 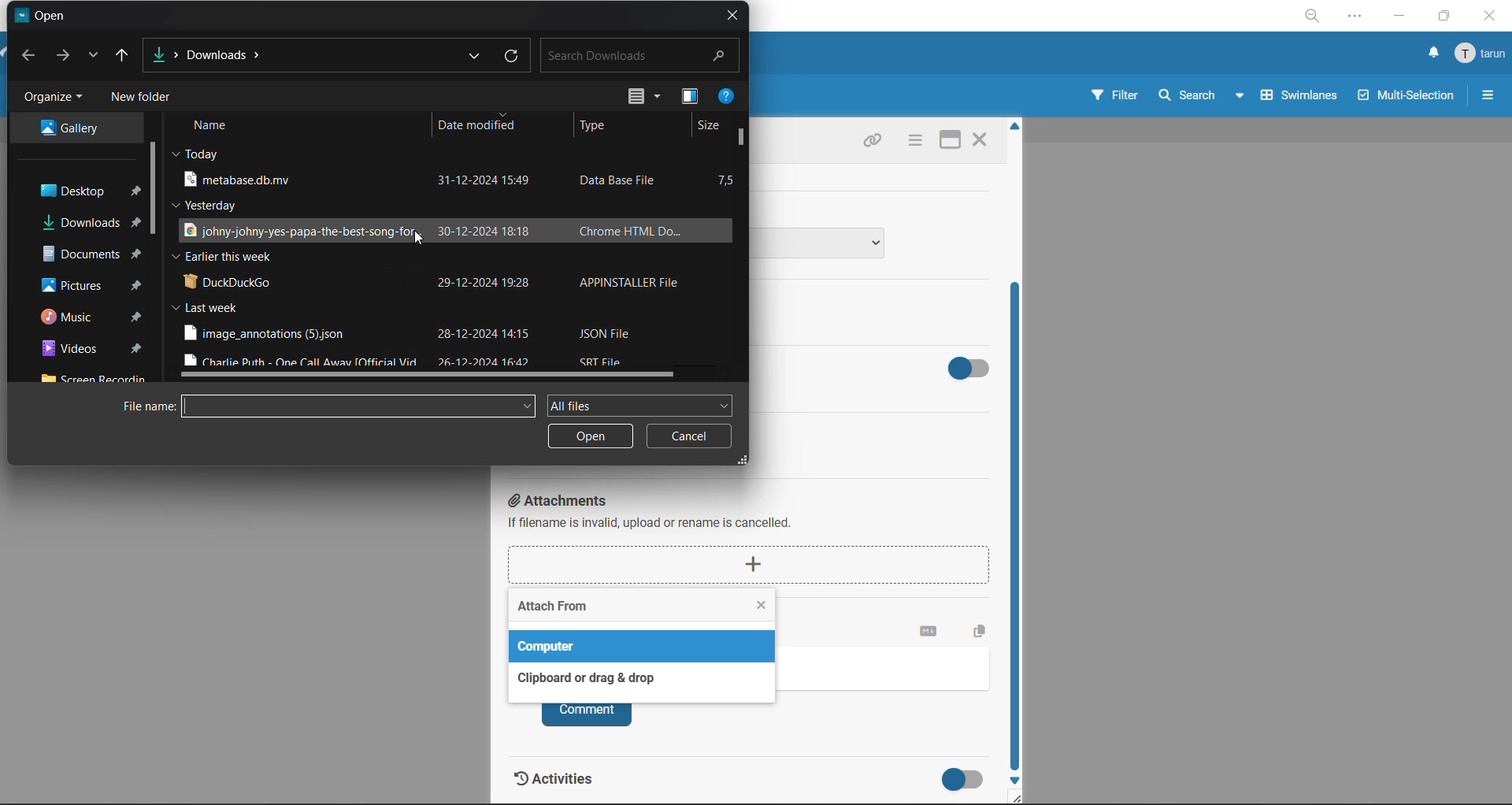 I want to click on notifications, so click(x=1434, y=53).